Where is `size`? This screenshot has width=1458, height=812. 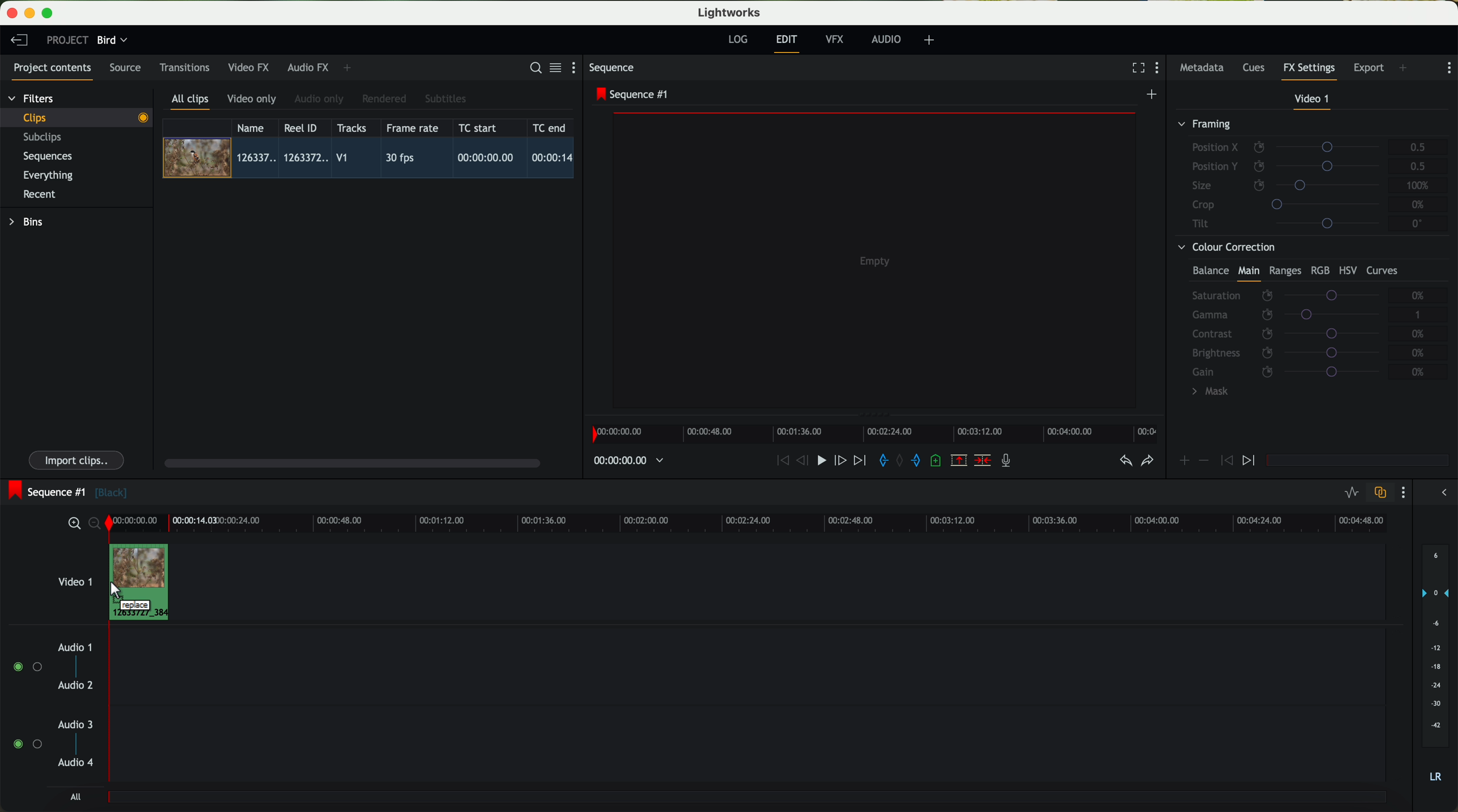
size is located at coordinates (1289, 186).